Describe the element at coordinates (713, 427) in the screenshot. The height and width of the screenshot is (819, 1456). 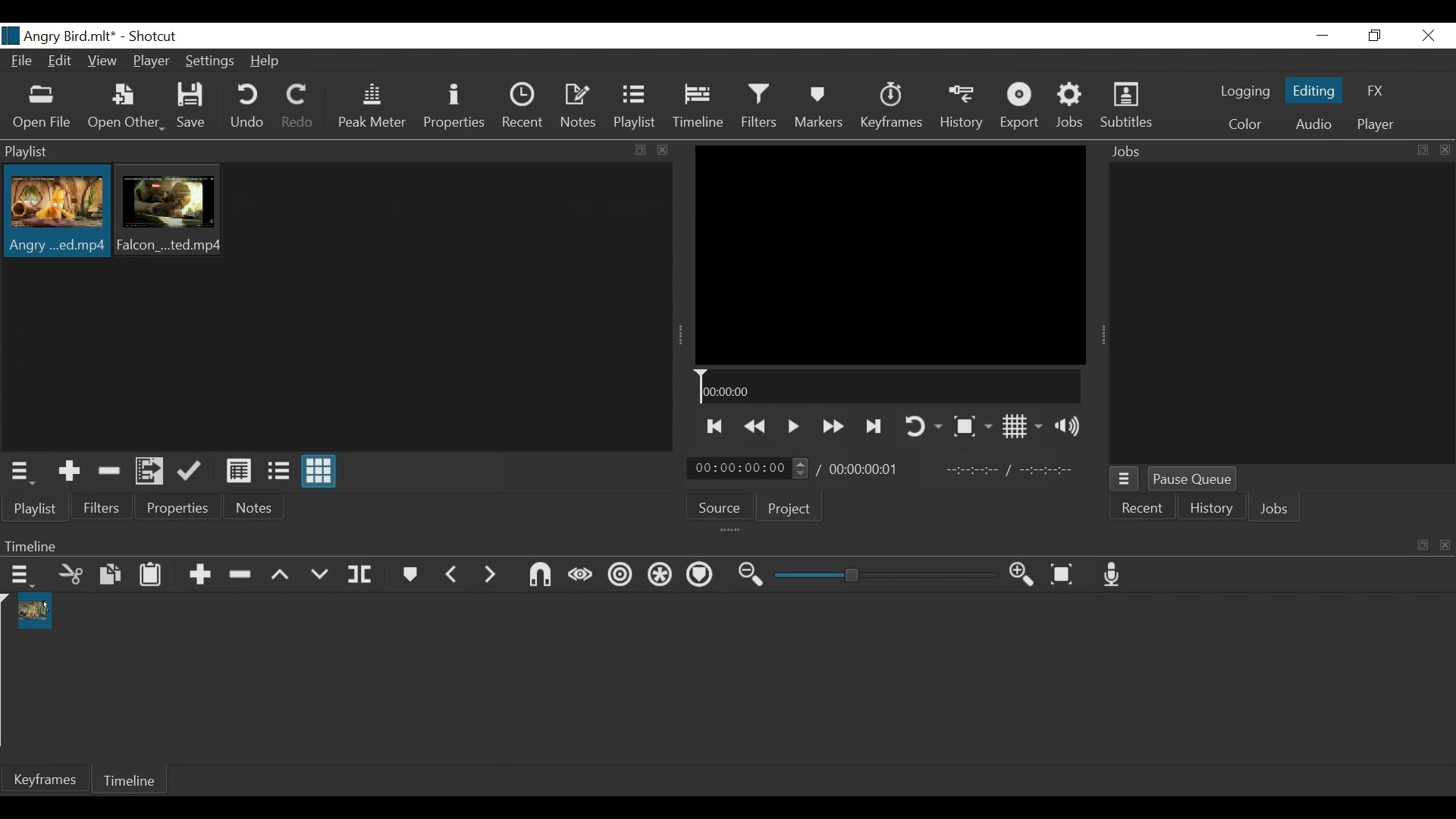
I see `Skip to the previous point` at that location.